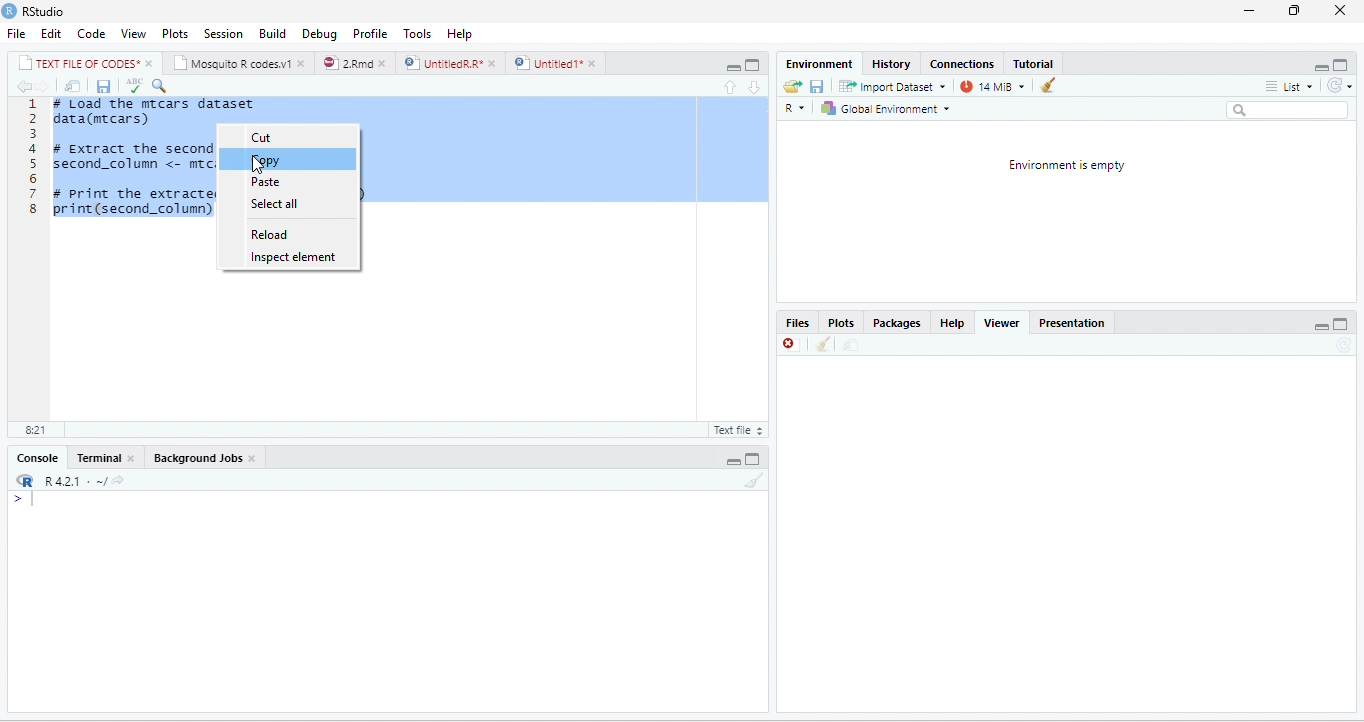 The height and width of the screenshot is (722, 1364). I want to click on maximize, so click(1343, 64).